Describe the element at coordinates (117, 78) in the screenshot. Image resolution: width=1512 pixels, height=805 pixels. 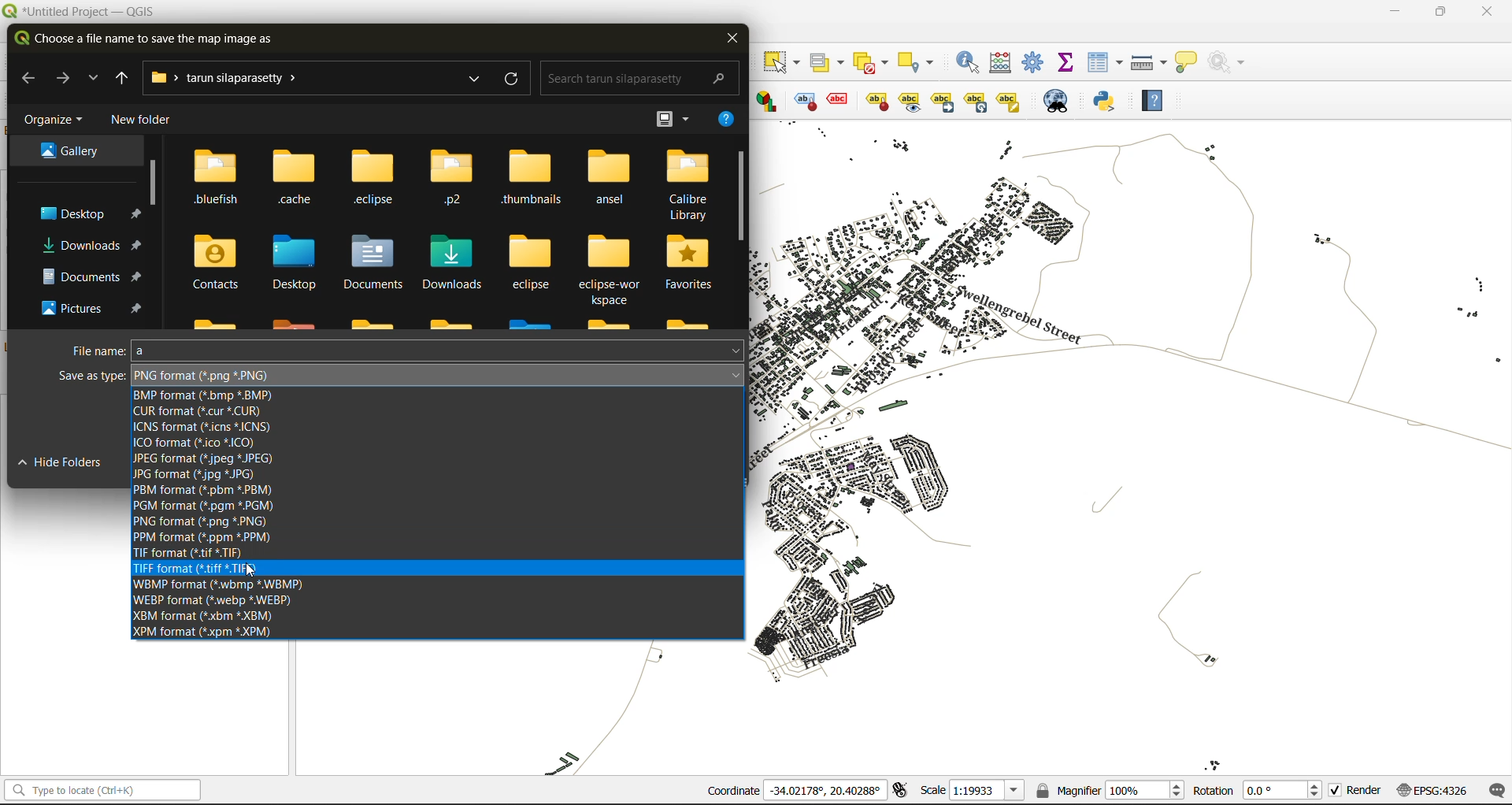
I see `previous folder` at that location.